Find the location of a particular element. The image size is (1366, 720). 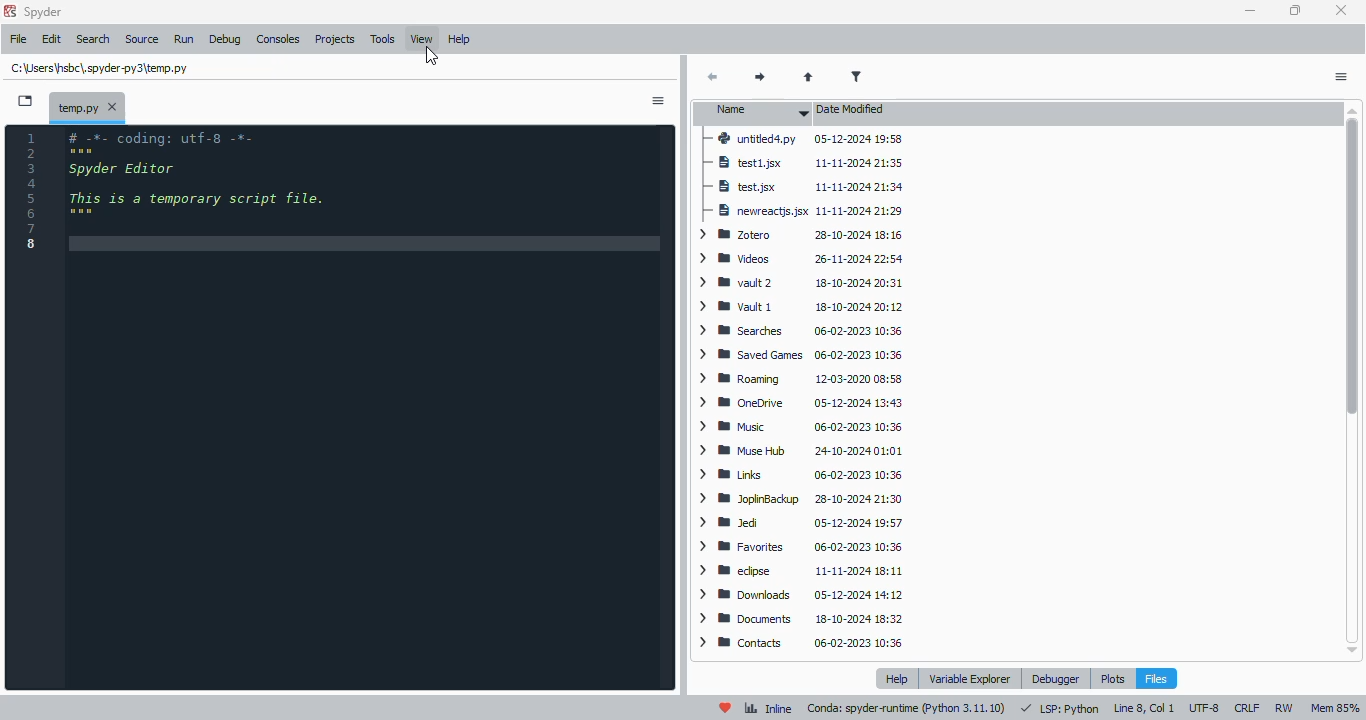

JoplinBackup is located at coordinates (802, 498).